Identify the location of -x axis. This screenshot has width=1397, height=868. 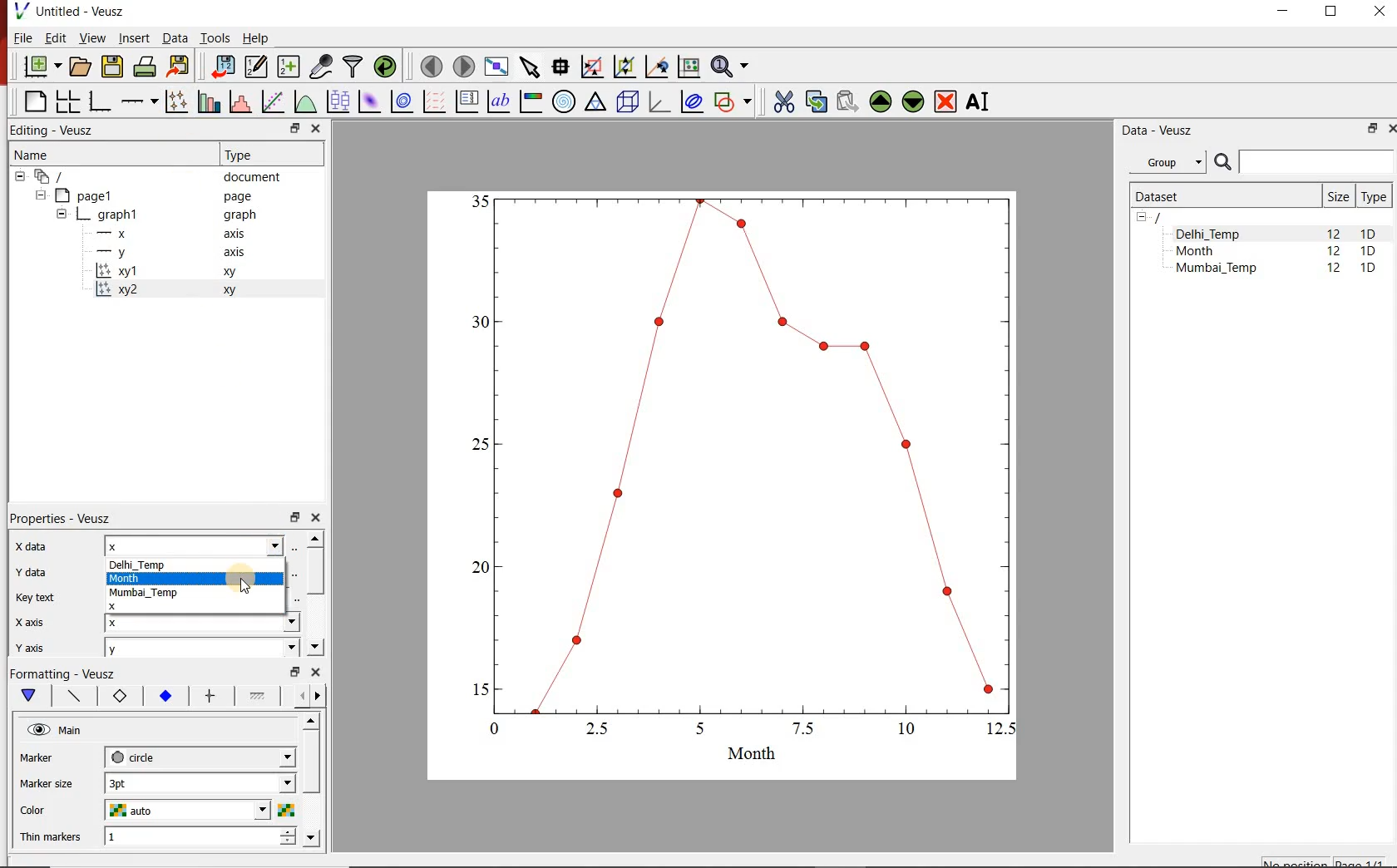
(164, 234).